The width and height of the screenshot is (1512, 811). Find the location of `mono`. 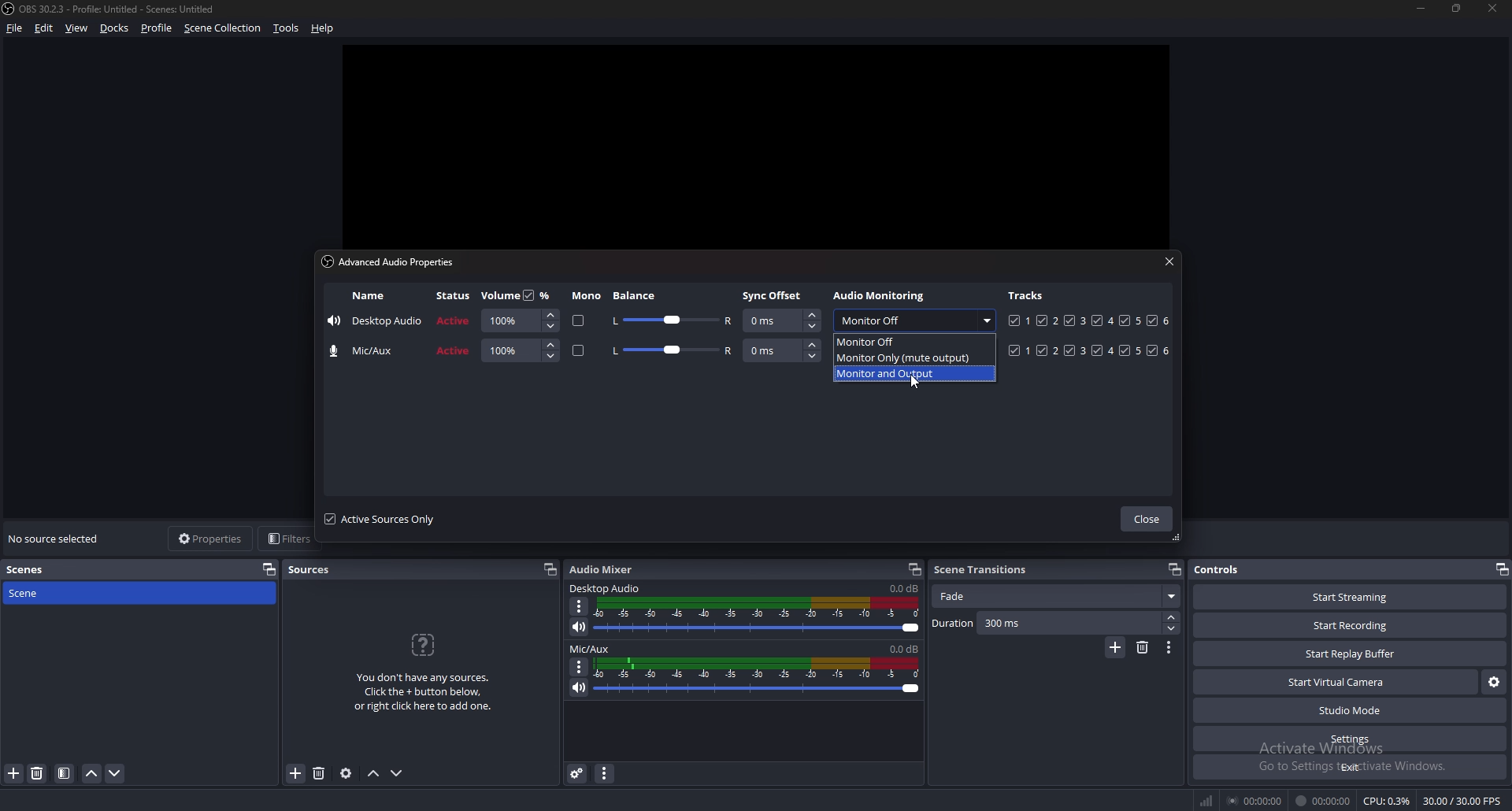

mono is located at coordinates (586, 296).